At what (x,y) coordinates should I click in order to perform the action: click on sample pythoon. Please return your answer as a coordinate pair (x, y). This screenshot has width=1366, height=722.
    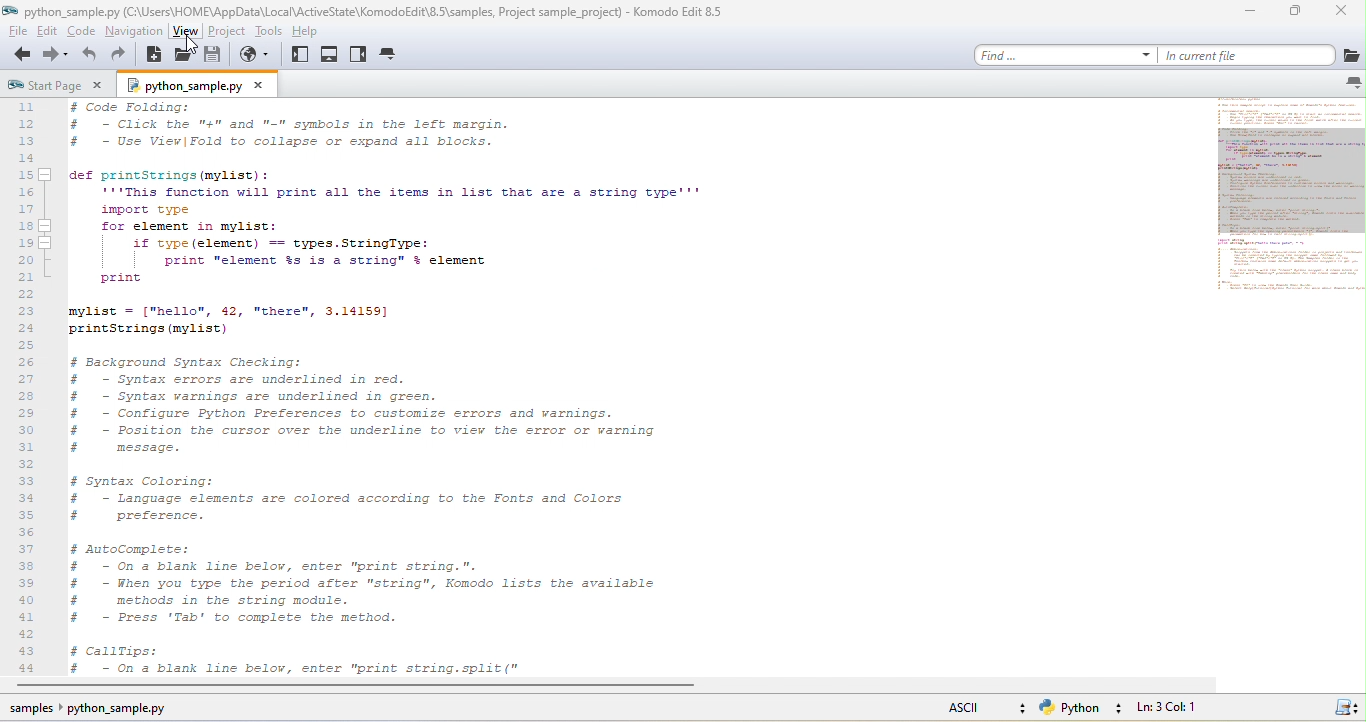
    Looking at the image, I should click on (92, 707).